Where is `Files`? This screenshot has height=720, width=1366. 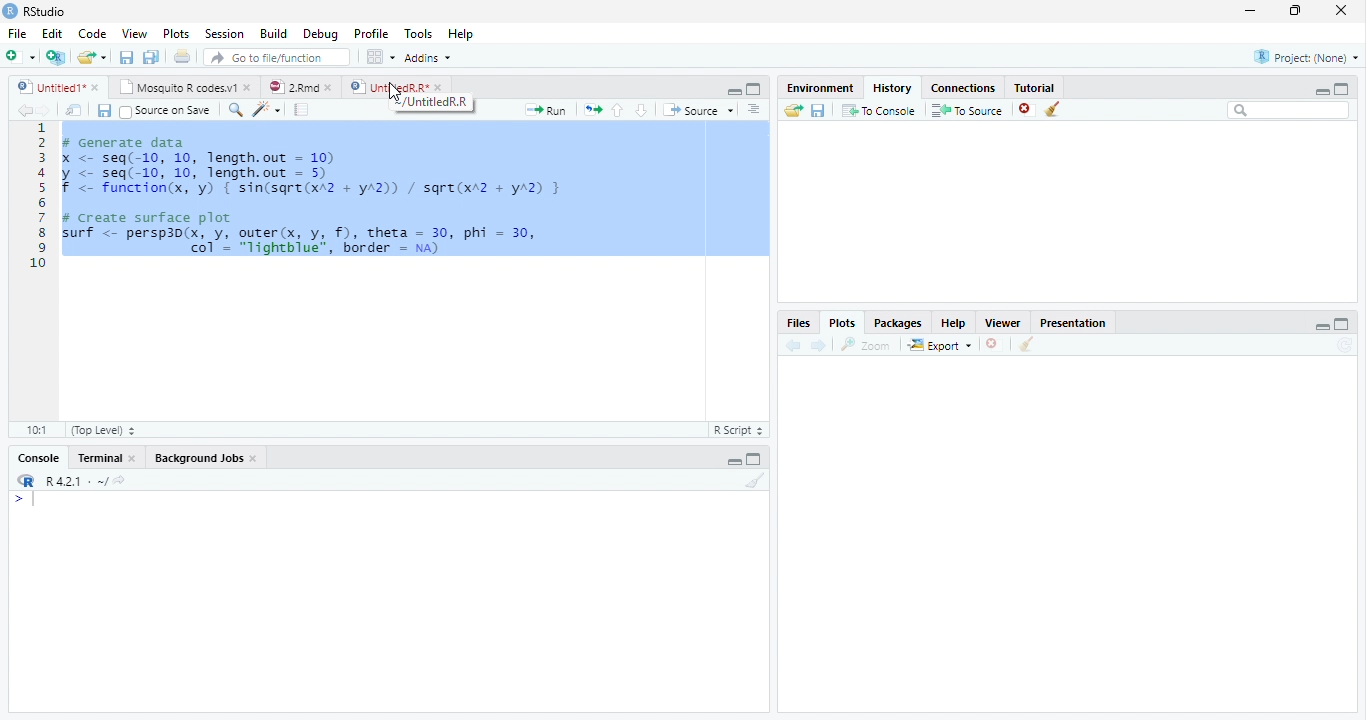 Files is located at coordinates (800, 322).